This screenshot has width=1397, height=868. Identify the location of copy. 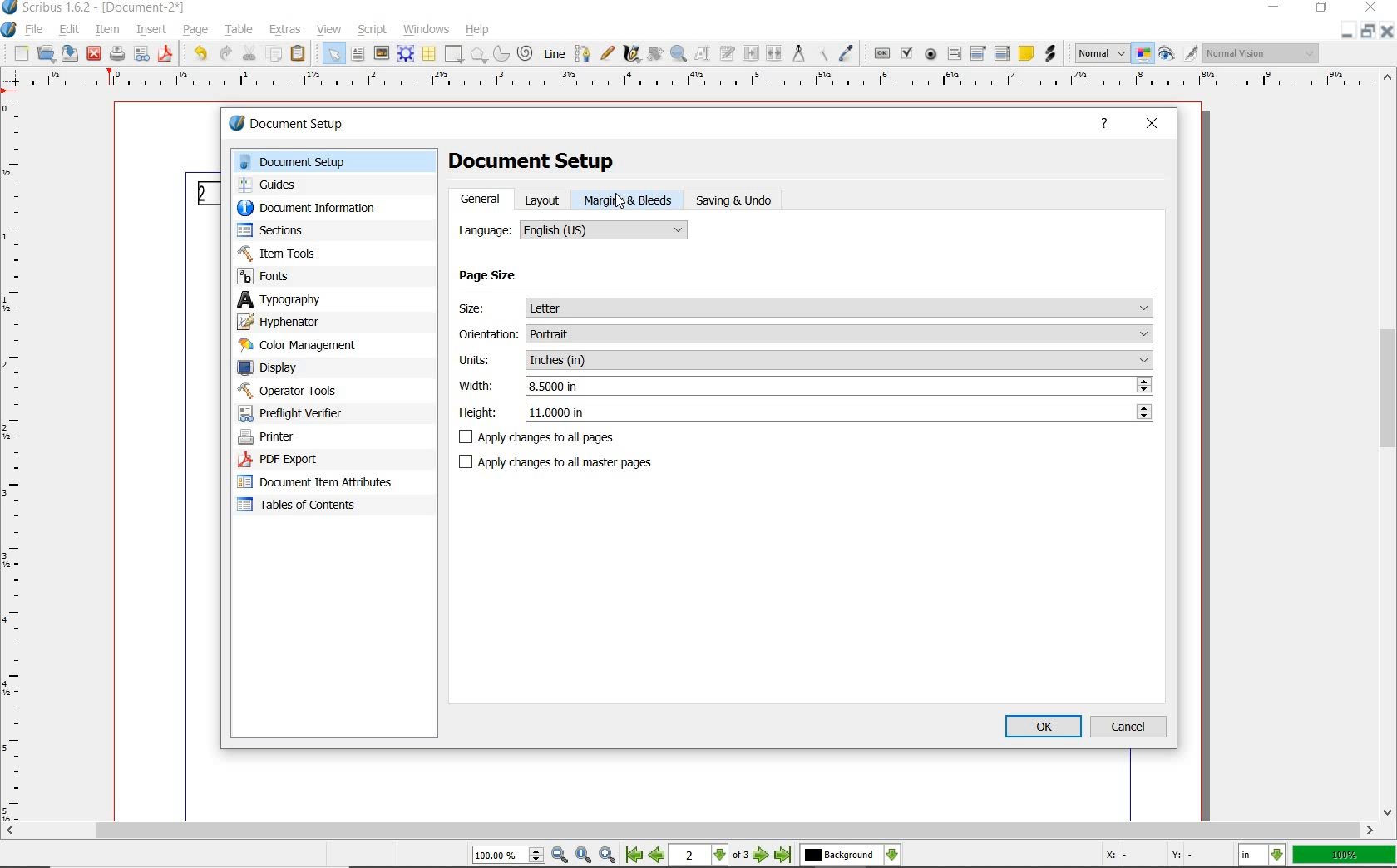
(274, 55).